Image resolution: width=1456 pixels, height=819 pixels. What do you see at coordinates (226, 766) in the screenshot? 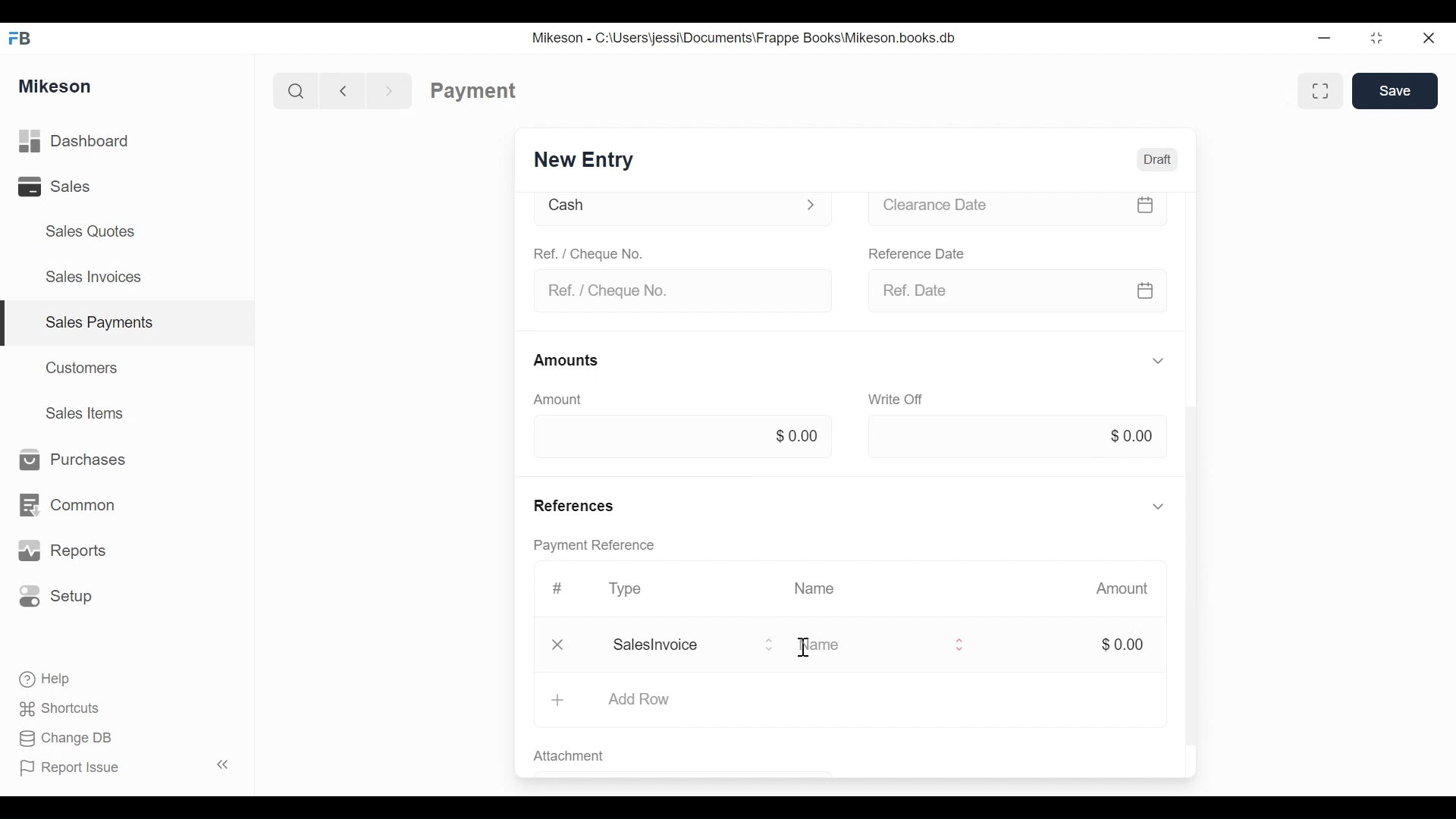
I see `Collapse` at bounding box center [226, 766].